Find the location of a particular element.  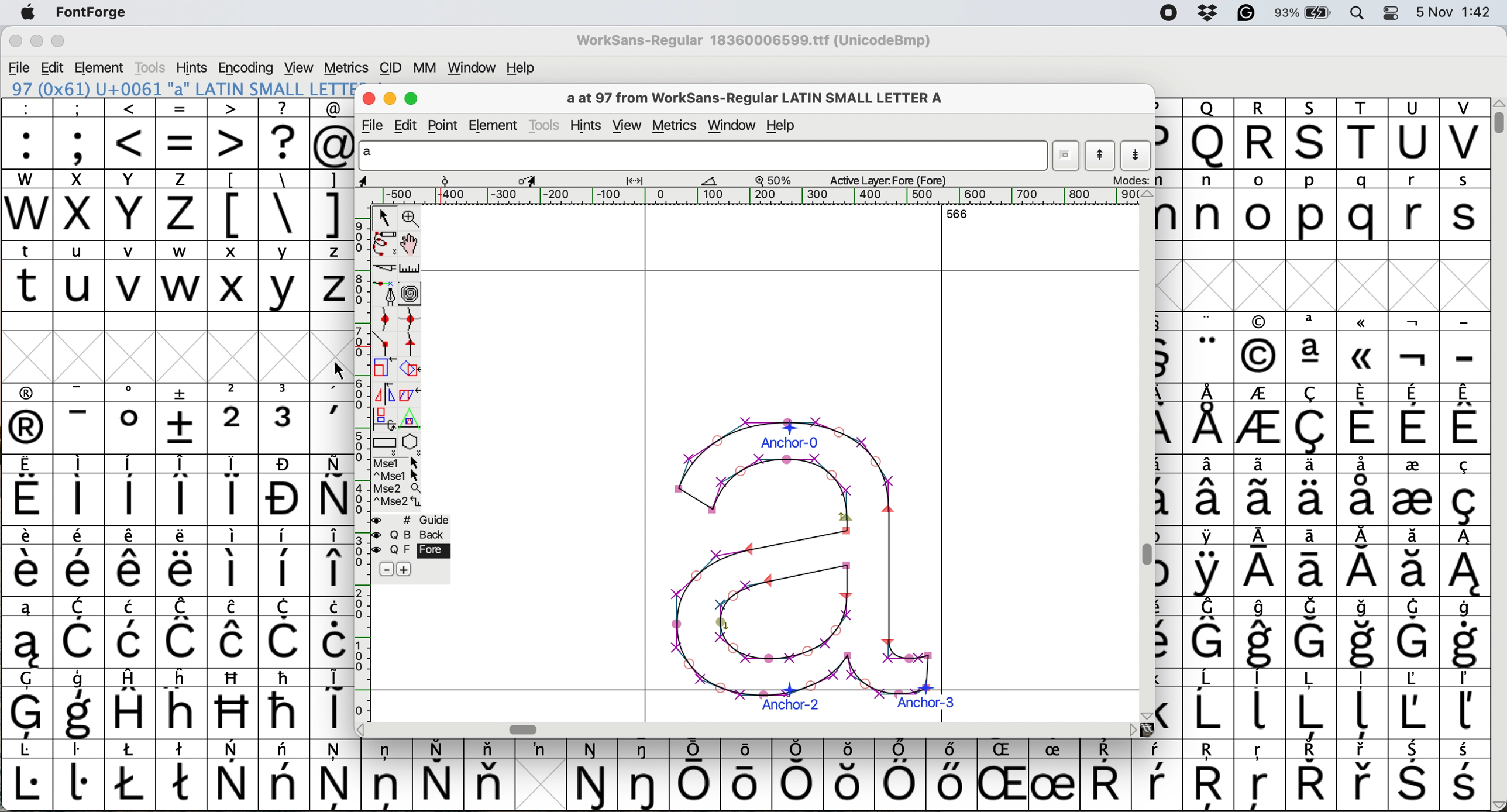

star or polygon is located at coordinates (412, 441).